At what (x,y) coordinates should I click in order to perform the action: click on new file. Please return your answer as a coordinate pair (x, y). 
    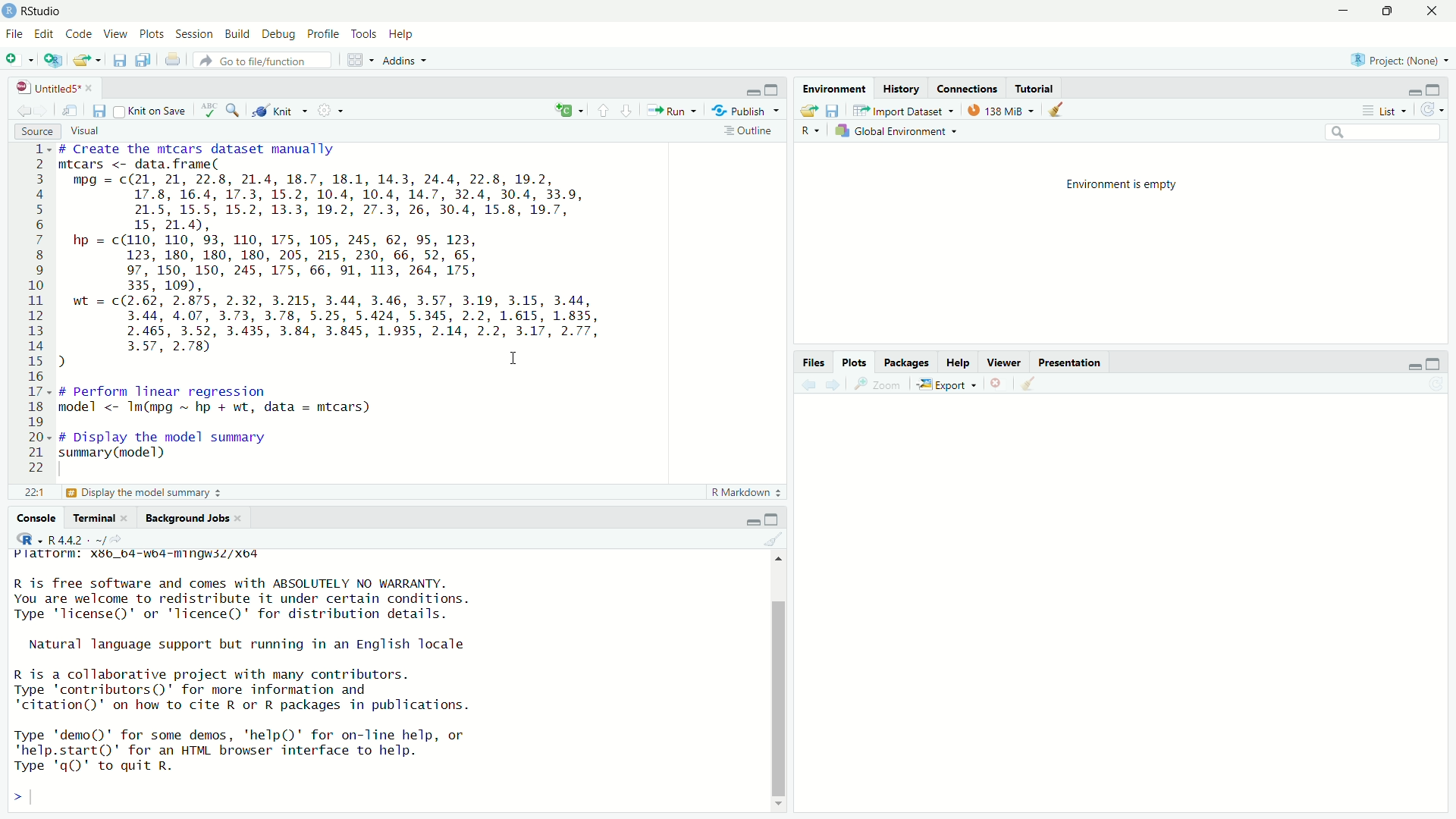
    Looking at the image, I should click on (14, 58).